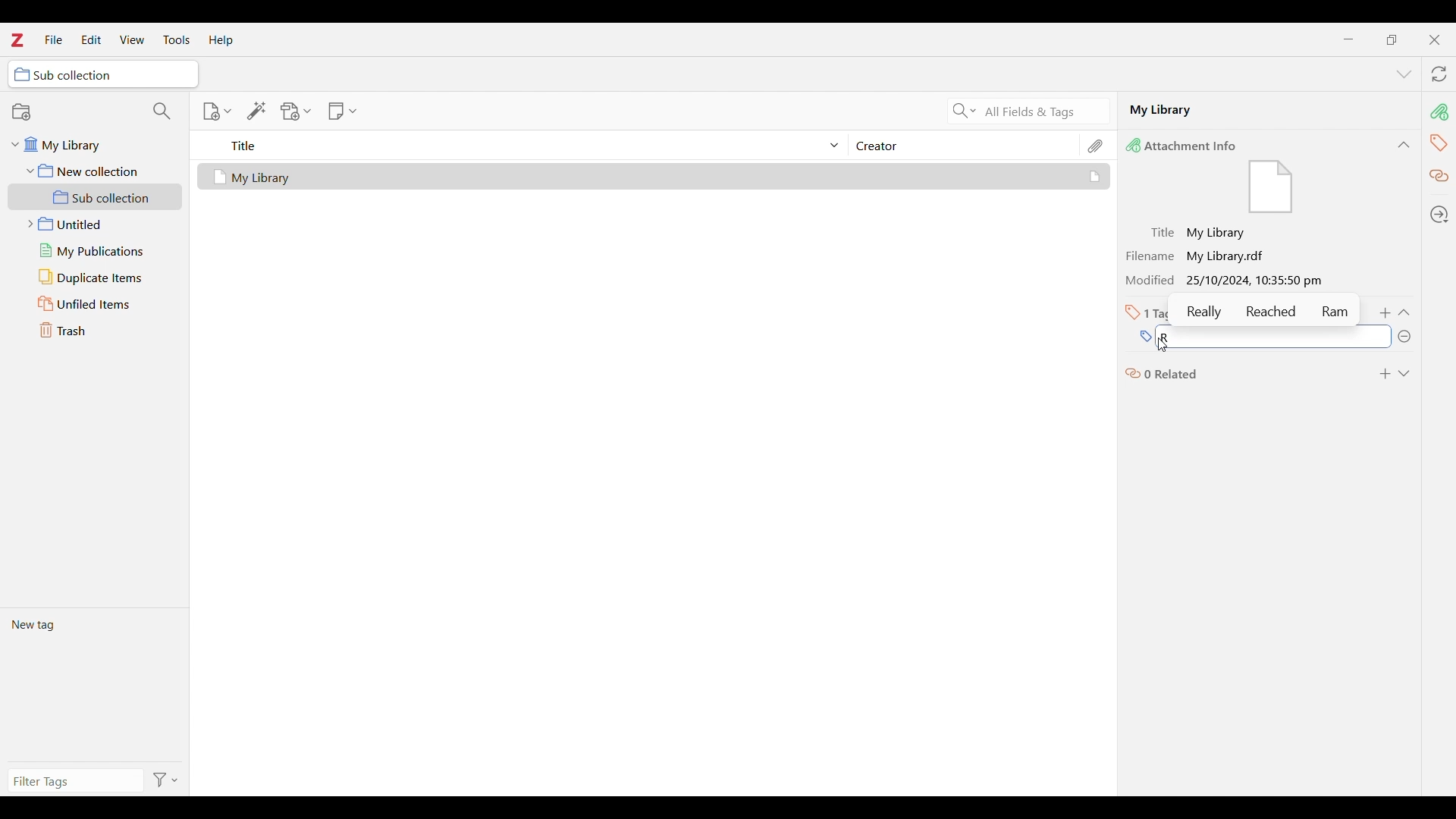 This screenshot has width=1456, height=819. What do you see at coordinates (1440, 177) in the screenshot?
I see `Related` at bounding box center [1440, 177].